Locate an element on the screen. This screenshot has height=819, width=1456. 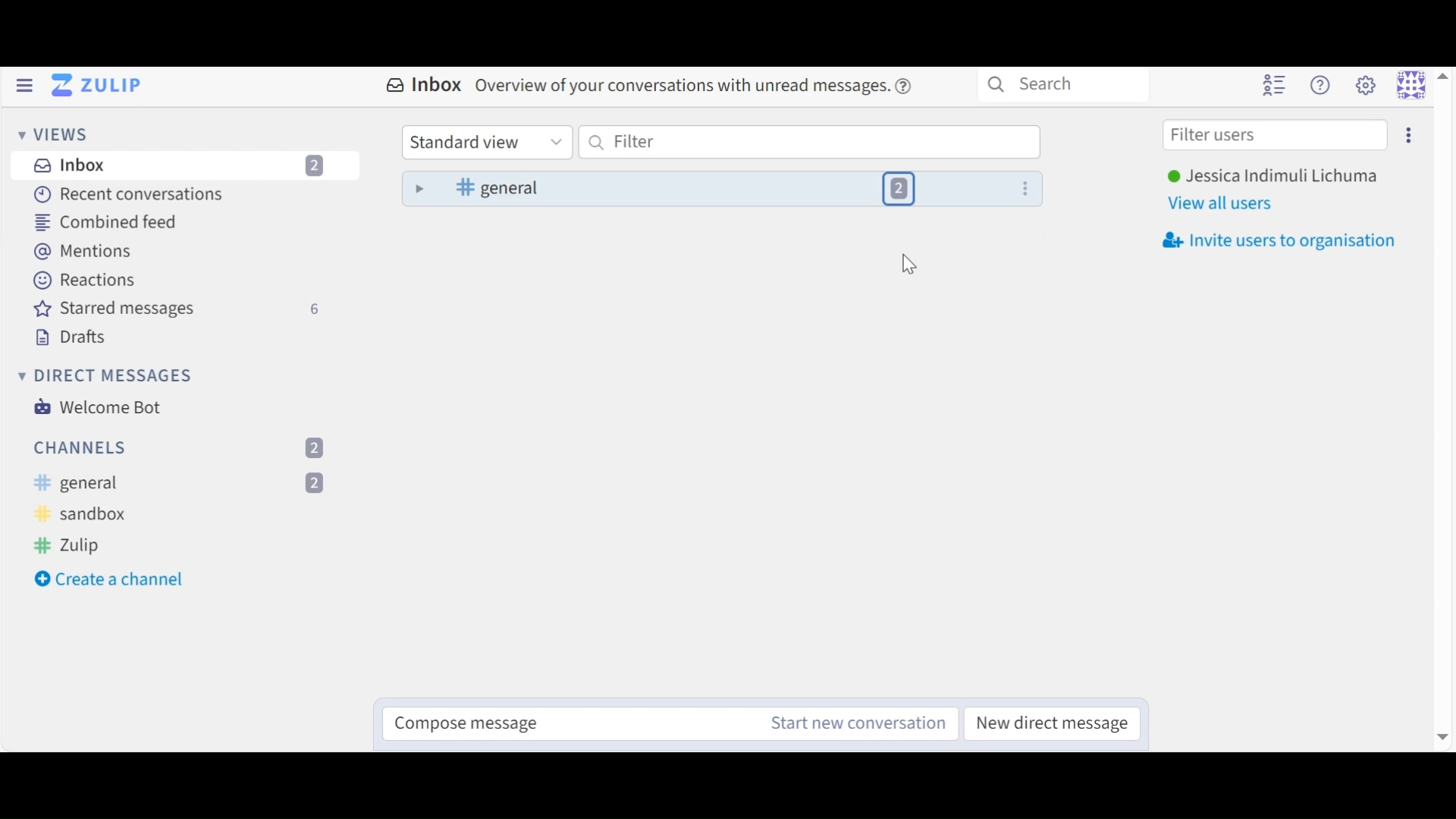
Scroll down is located at coordinates (1444, 739).